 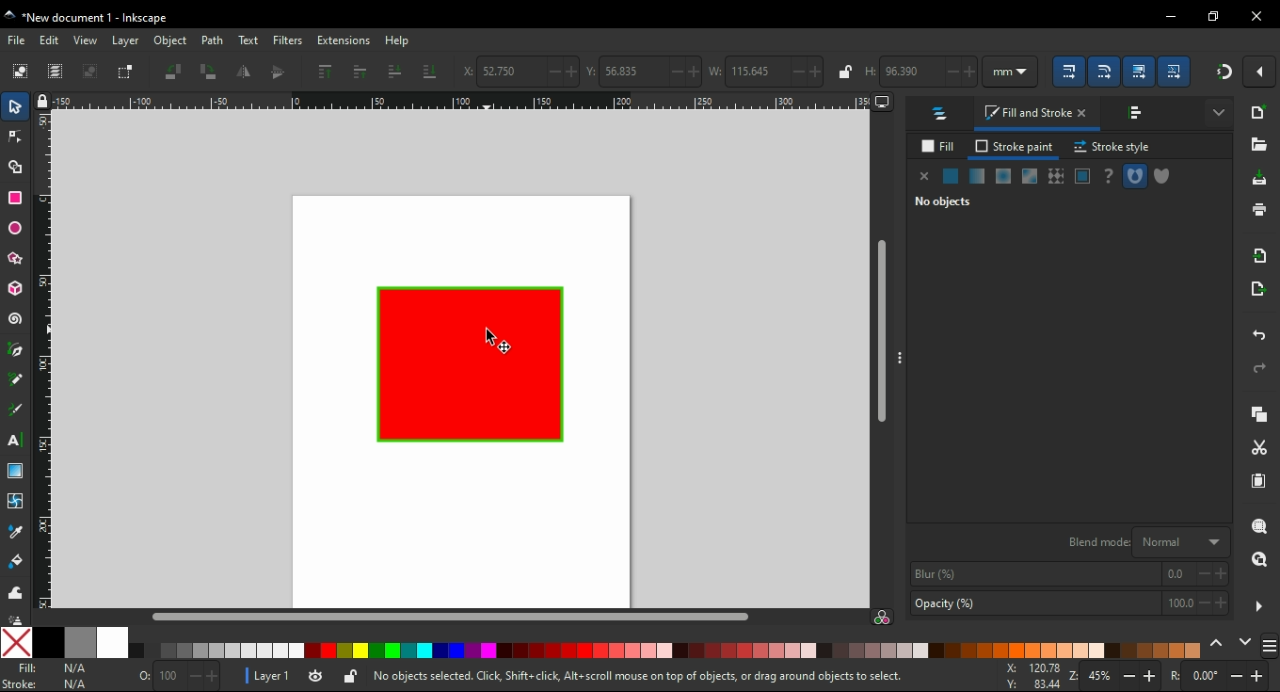 What do you see at coordinates (15, 197) in the screenshot?
I see `rectangle tool` at bounding box center [15, 197].